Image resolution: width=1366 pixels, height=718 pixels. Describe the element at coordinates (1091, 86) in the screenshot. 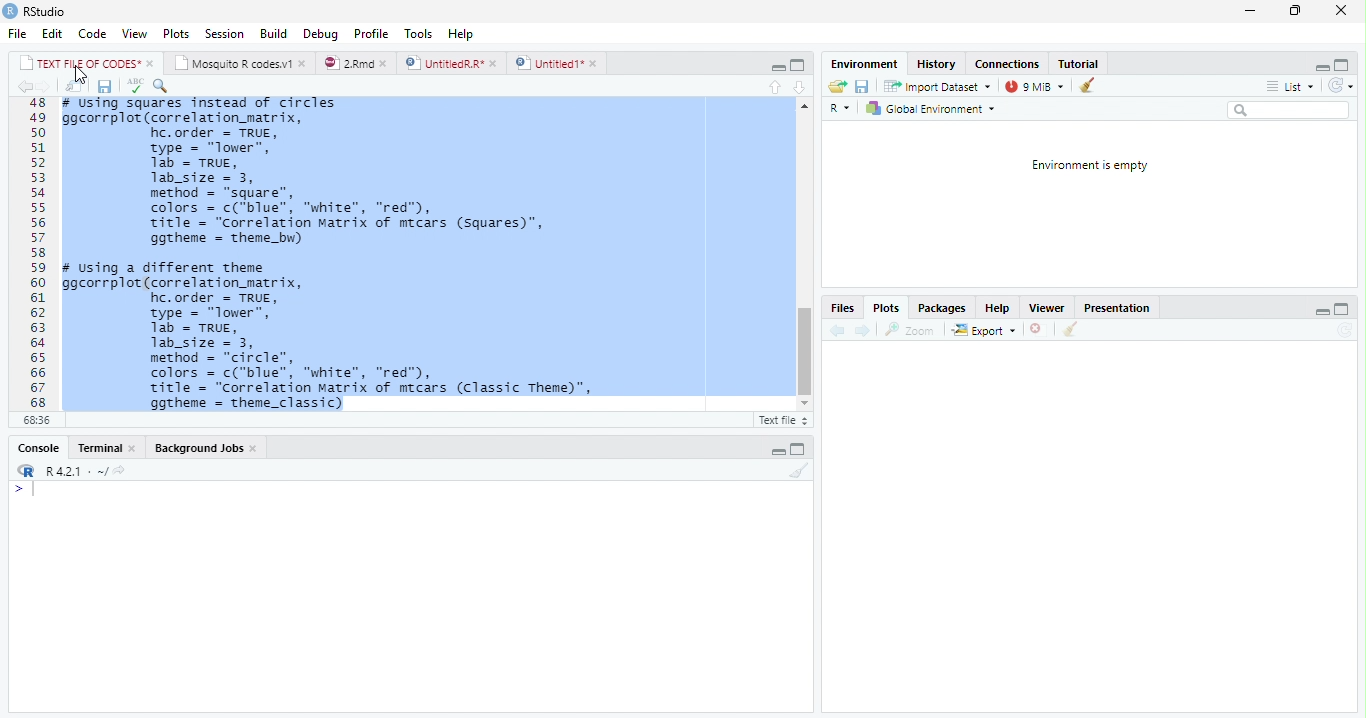

I see `clear history` at that location.